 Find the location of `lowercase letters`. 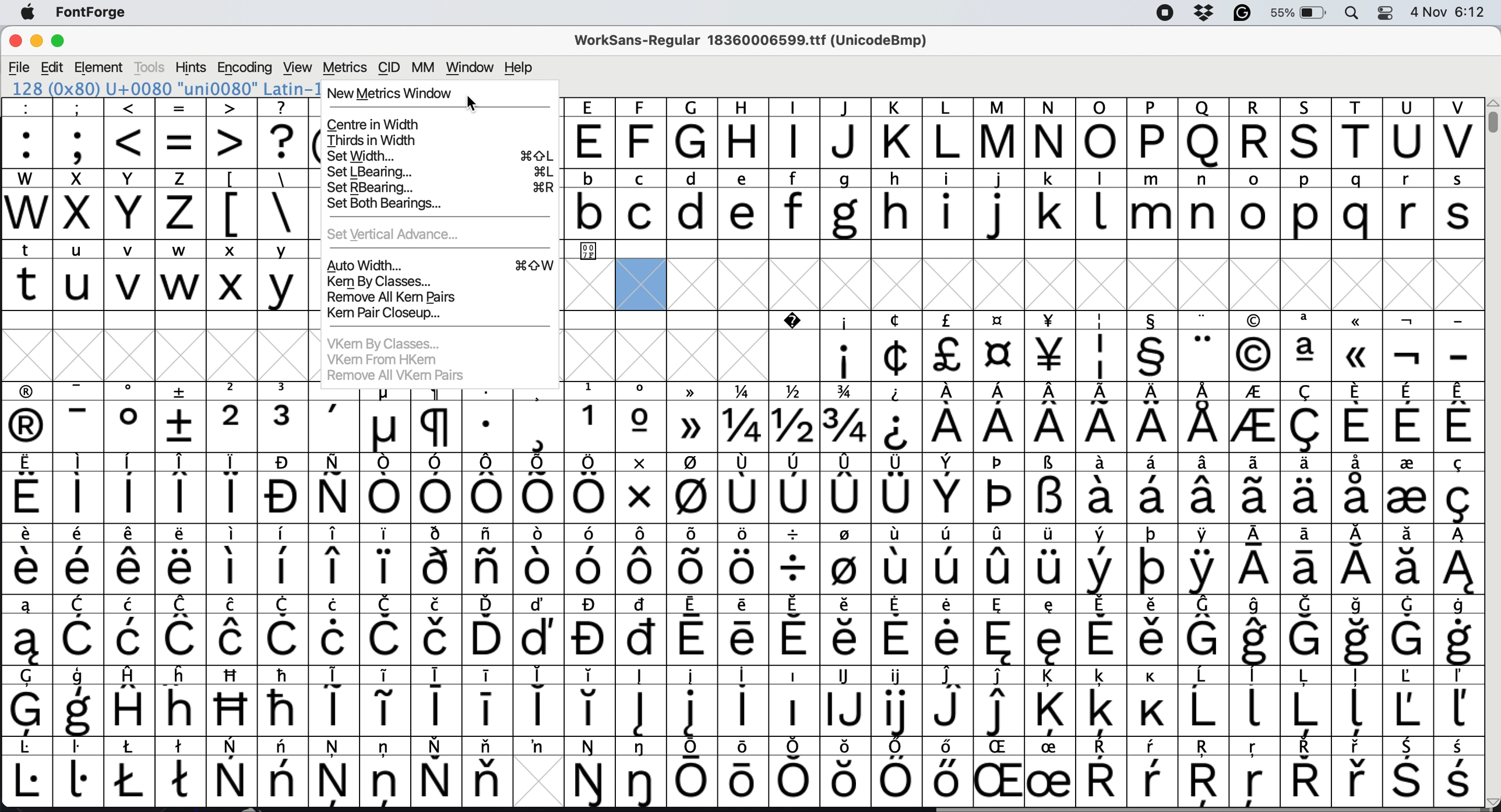

lowercase letters is located at coordinates (161, 290).